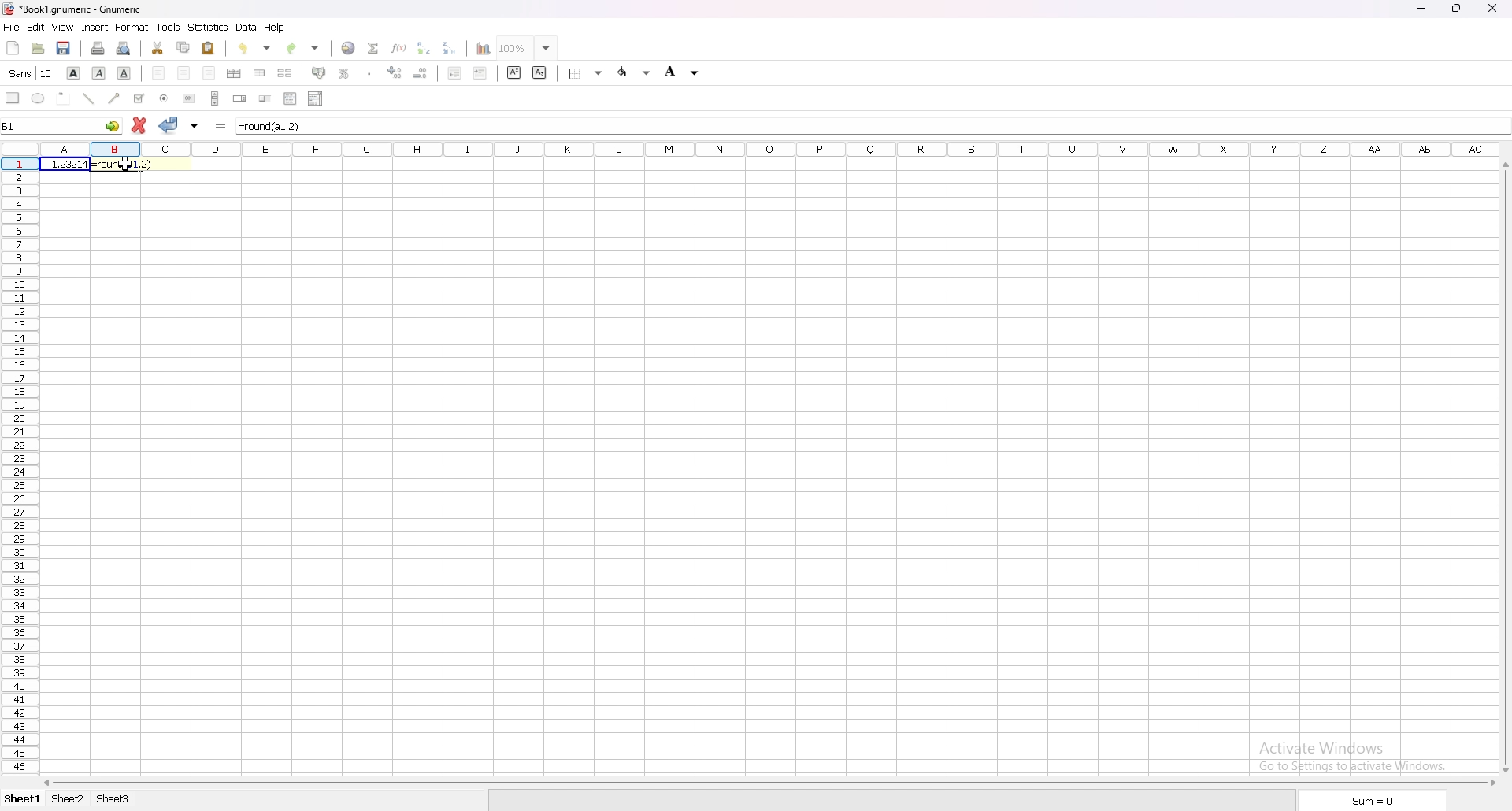 Image resolution: width=1512 pixels, height=811 pixels. What do you see at coordinates (246, 28) in the screenshot?
I see `data` at bounding box center [246, 28].